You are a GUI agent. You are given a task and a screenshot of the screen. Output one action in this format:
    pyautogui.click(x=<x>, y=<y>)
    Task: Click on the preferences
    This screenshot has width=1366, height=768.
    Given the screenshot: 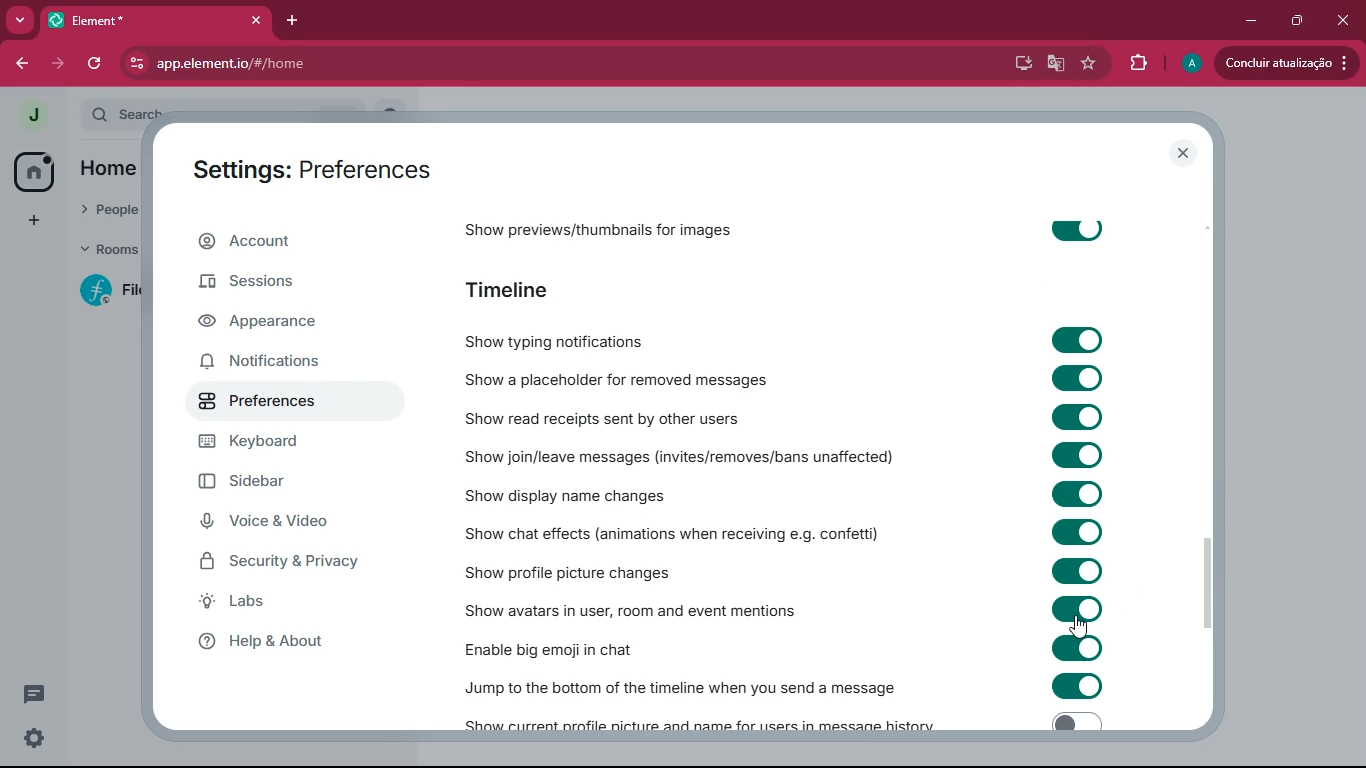 What is the action you would take?
    pyautogui.click(x=262, y=403)
    